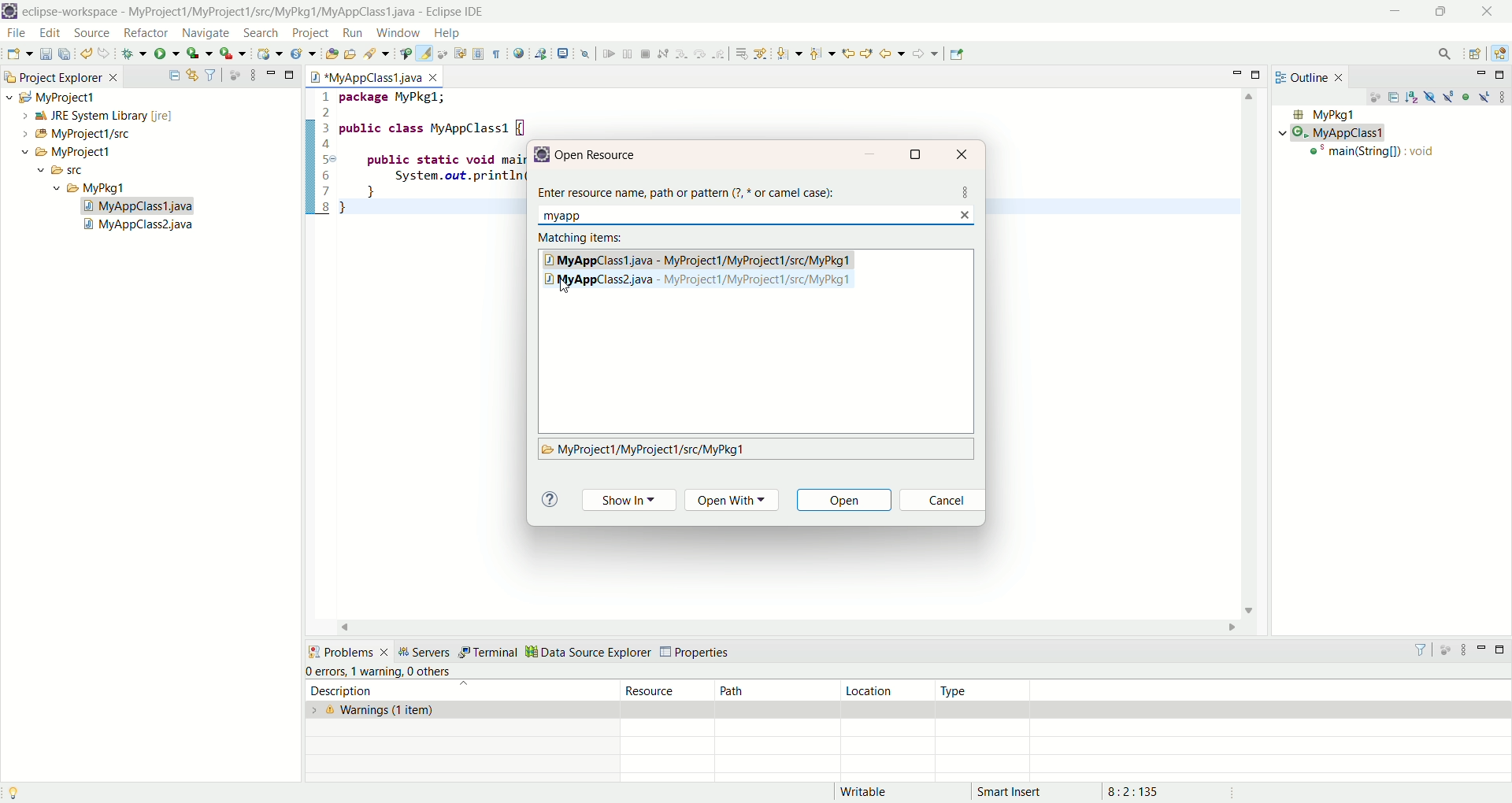 Image resolution: width=1512 pixels, height=803 pixels. Describe the element at coordinates (873, 792) in the screenshot. I see `writable` at that location.